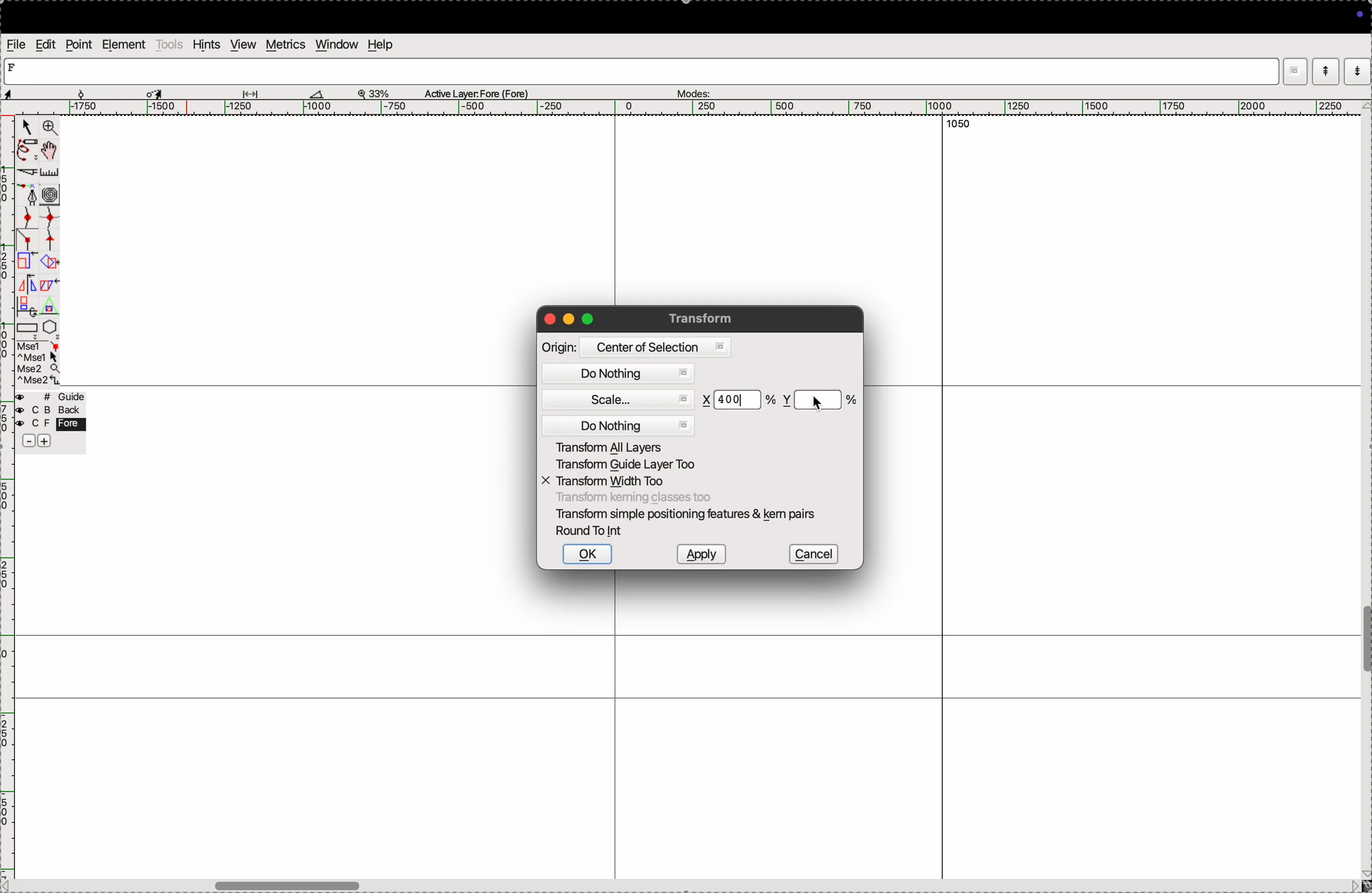 The image size is (1372, 893). What do you see at coordinates (374, 92) in the screenshot?
I see `zoom perecent` at bounding box center [374, 92].